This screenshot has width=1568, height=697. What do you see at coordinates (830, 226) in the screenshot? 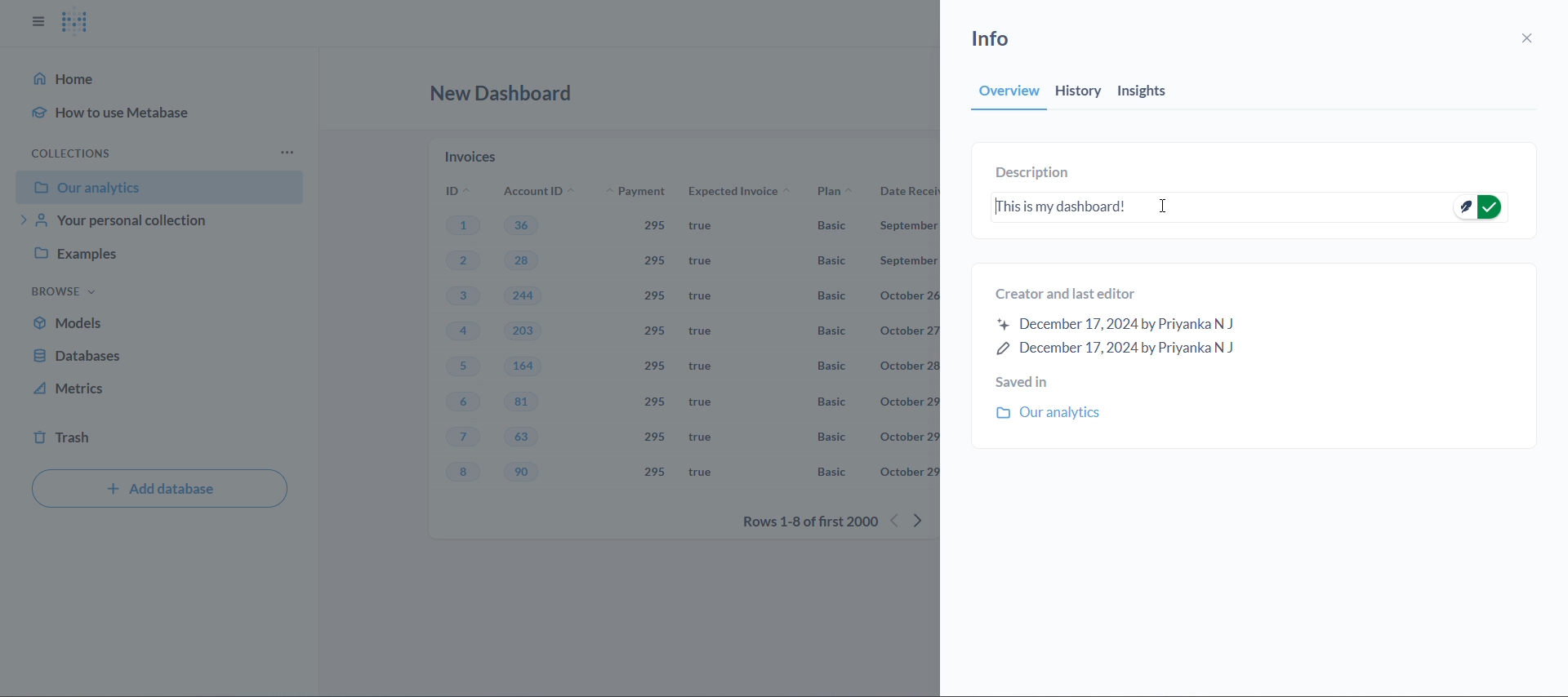
I see `Basic` at bounding box center [830, 226].